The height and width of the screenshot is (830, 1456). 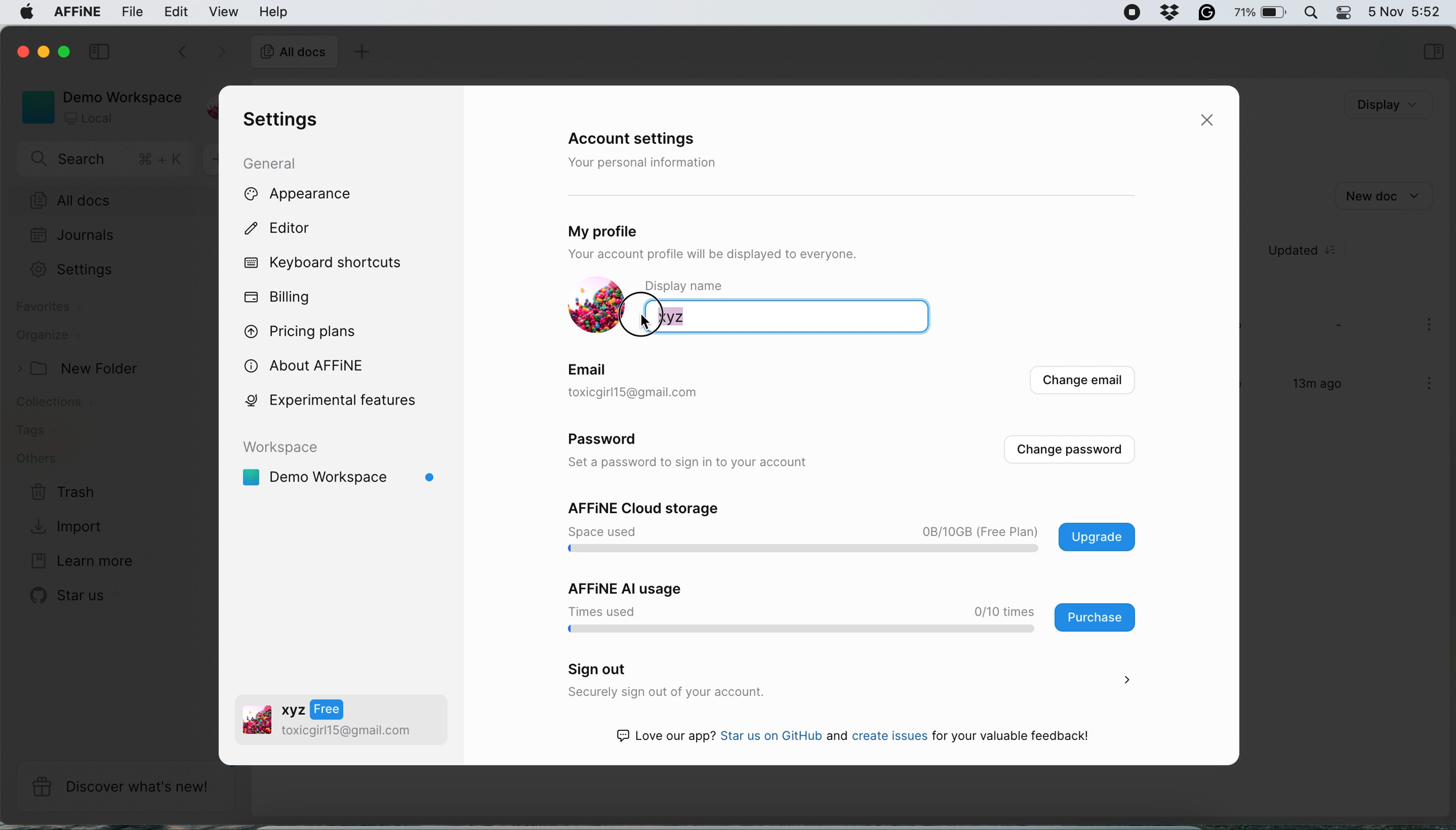 What do you see at coordinates (75, 14) in the screenshot?
I see `affine` at bounding box center [75, 14].